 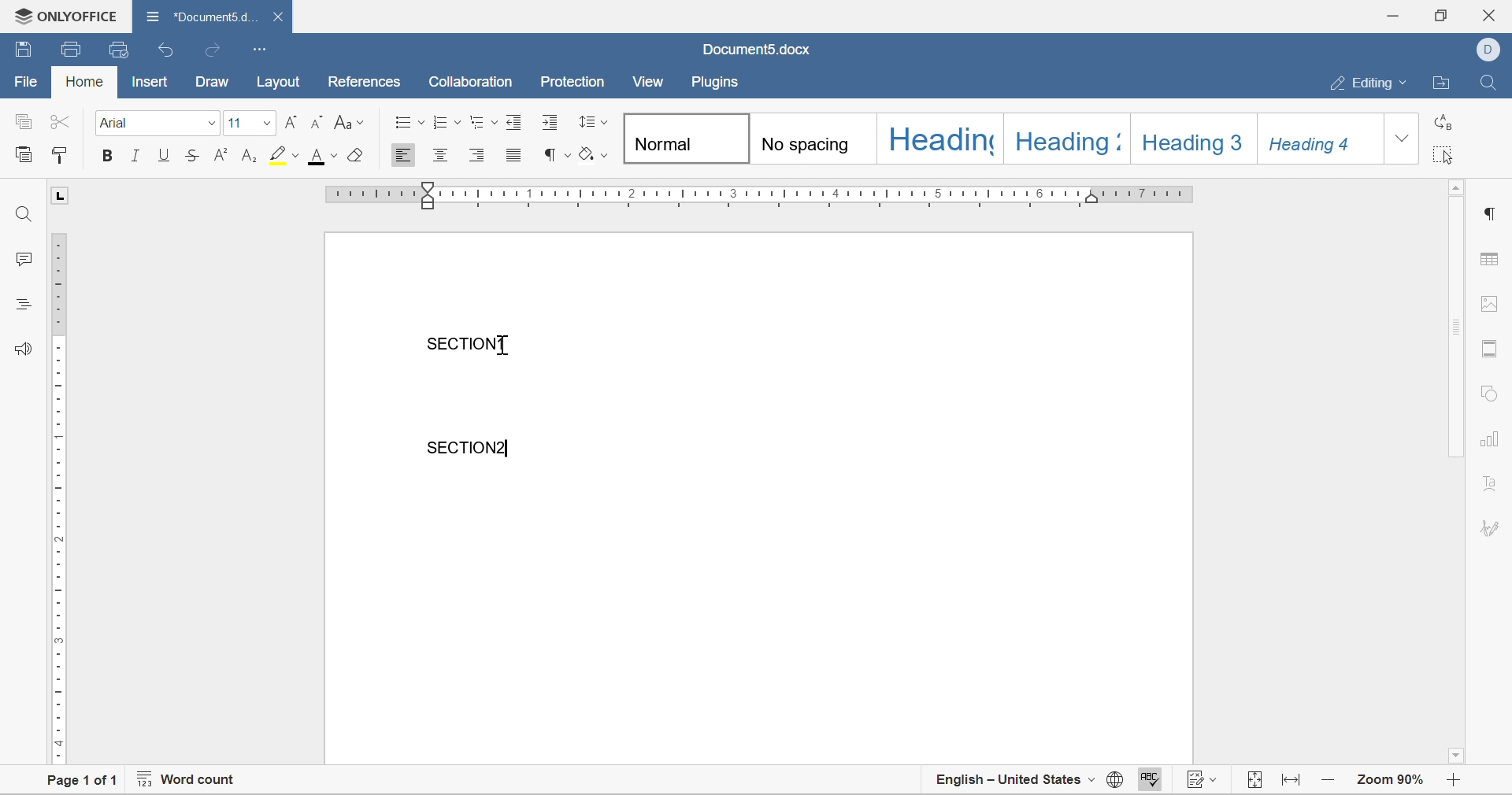 What do you see at coordinates (212, 83) in the screenshot?
I see `draw` at bounding box center [212, 83].